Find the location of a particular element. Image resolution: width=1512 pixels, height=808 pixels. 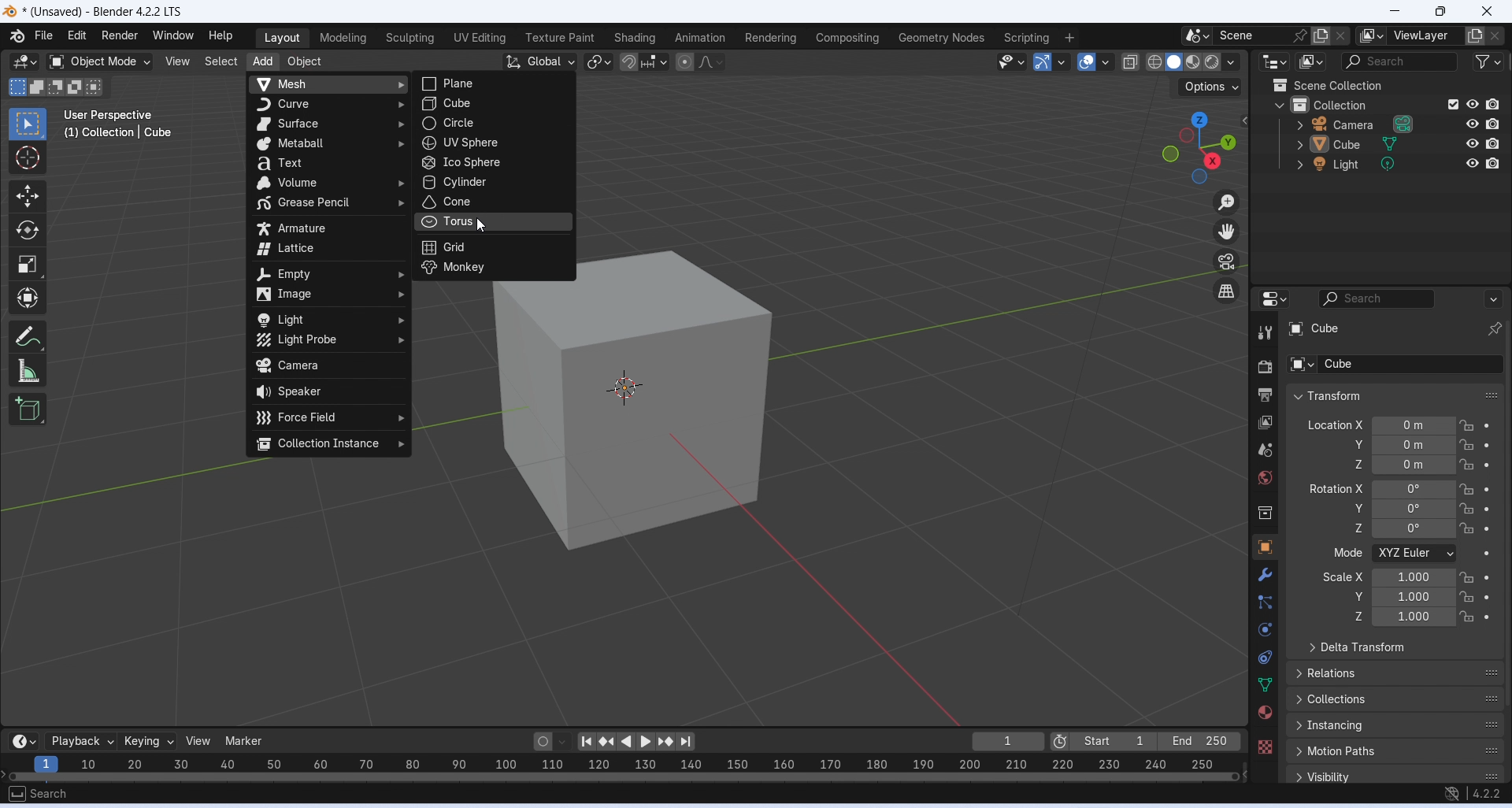

Camera layer is located at coordinates (1395, 123).